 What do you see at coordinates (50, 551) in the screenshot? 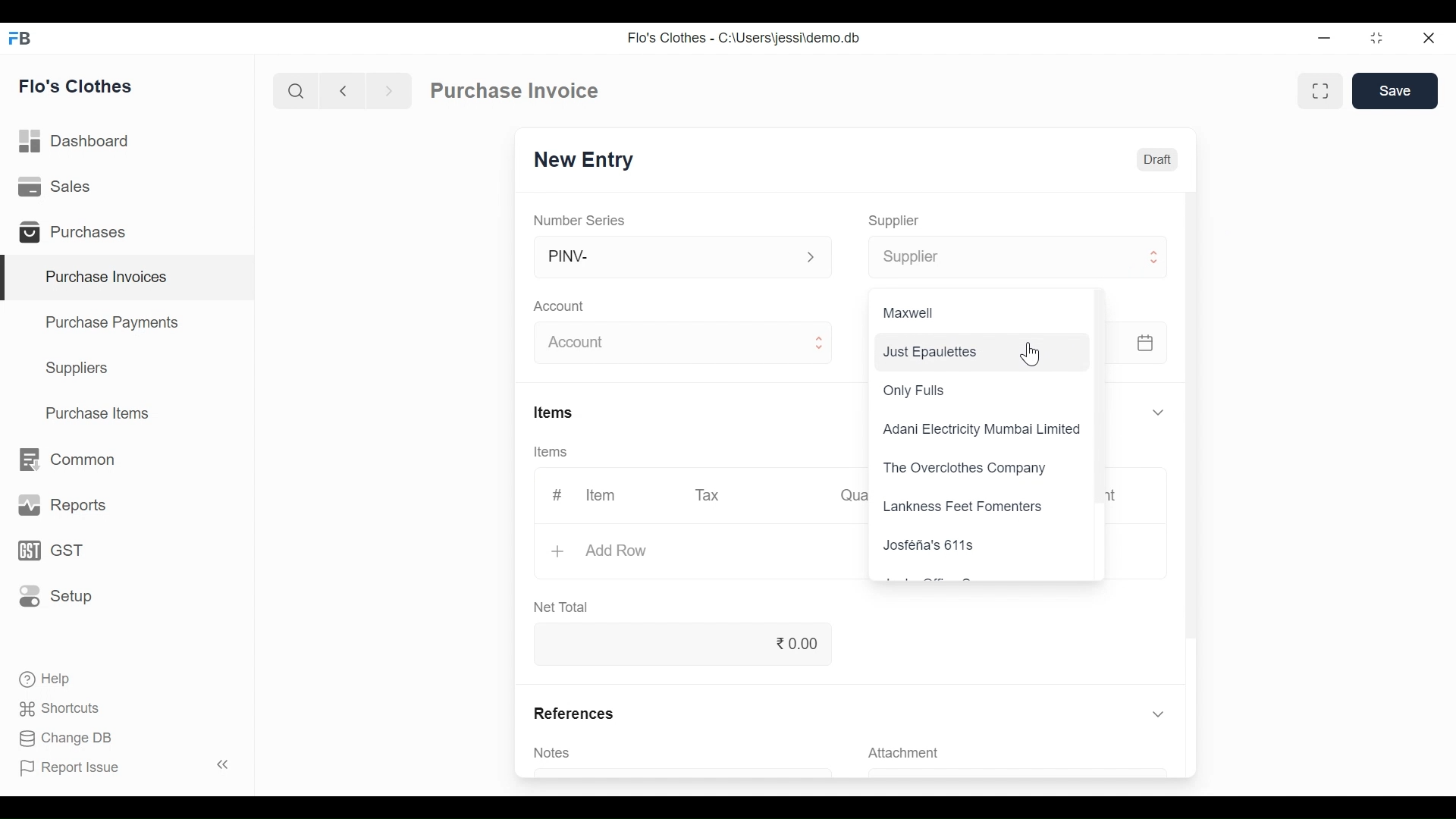
I see `GST` at bounding box center [50, 551].